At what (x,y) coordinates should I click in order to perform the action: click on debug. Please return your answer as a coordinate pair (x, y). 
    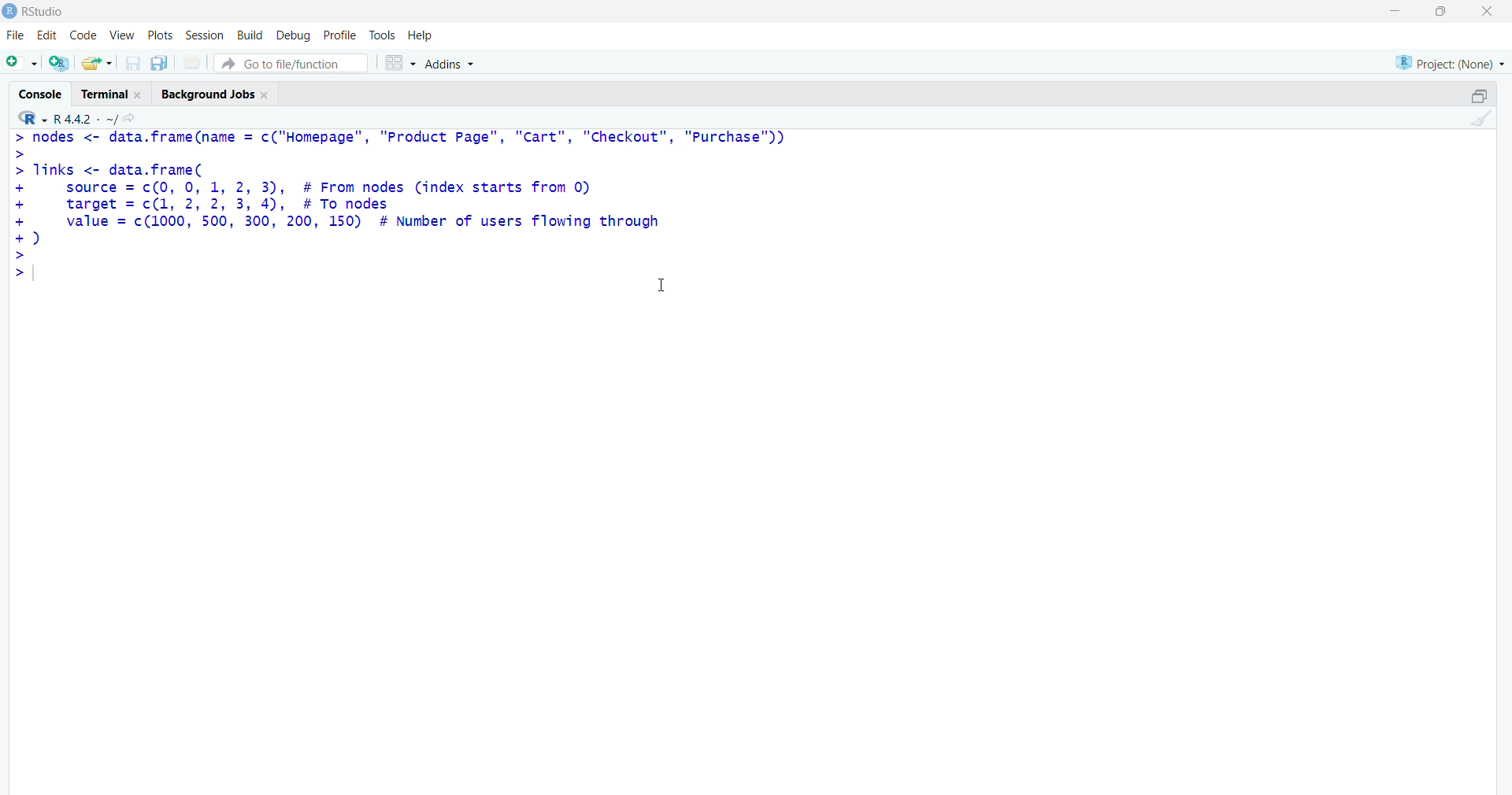
    Looking at the image, I should click on (291, 35).